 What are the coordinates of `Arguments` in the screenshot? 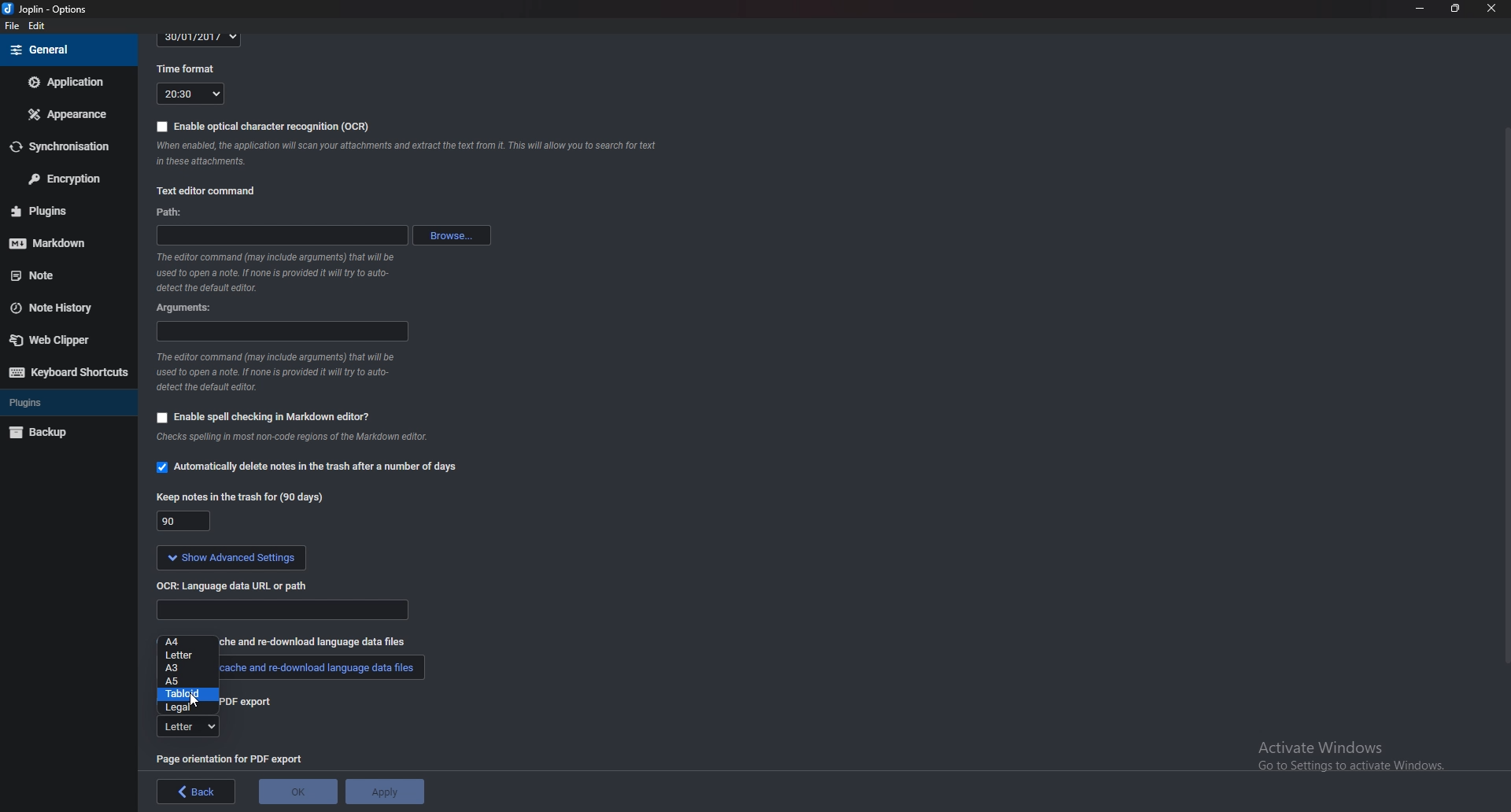 It's located at (280, 330).